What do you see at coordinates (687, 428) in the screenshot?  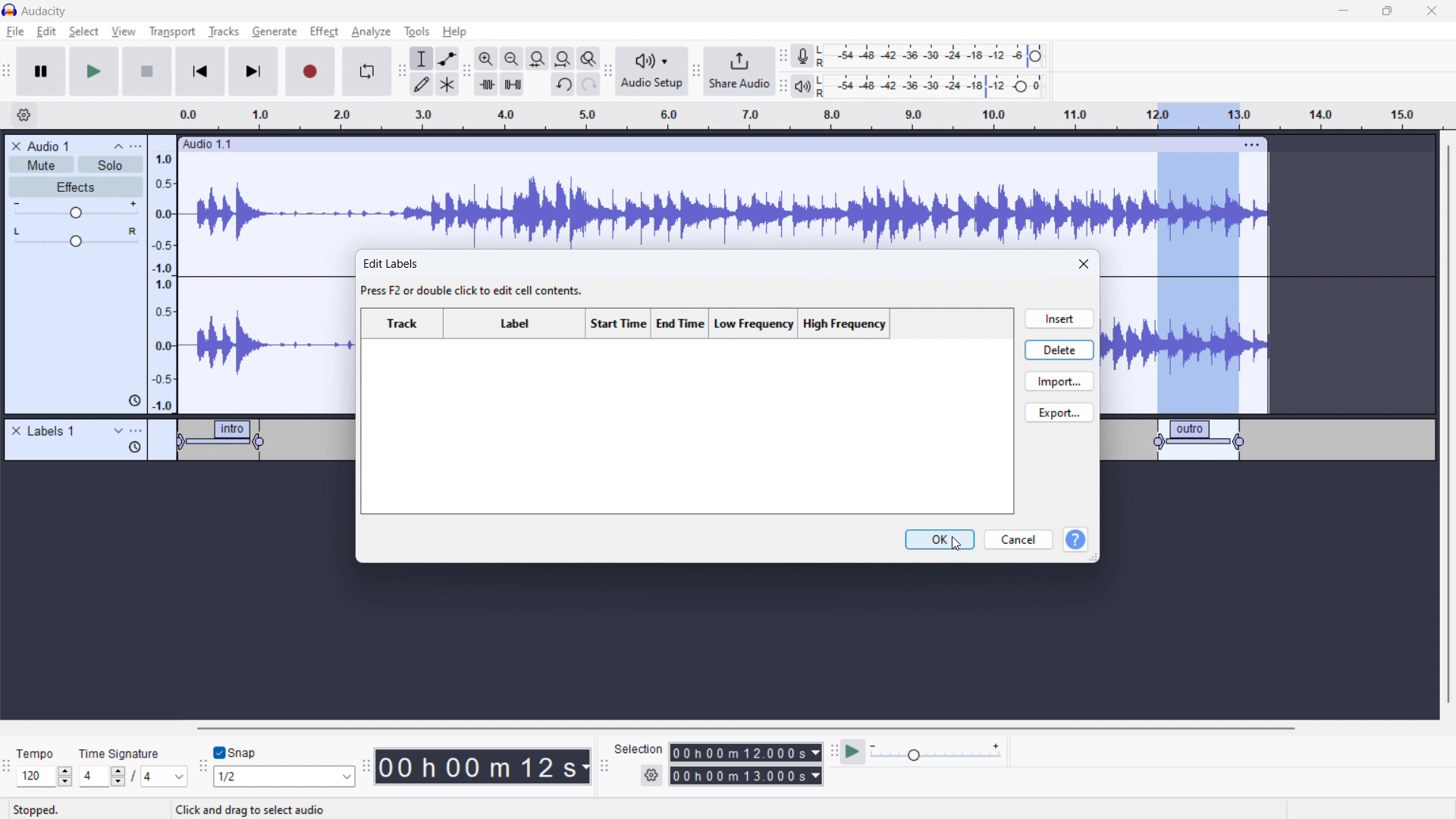 I see `all labels removed` at bounding box center [687, 428].